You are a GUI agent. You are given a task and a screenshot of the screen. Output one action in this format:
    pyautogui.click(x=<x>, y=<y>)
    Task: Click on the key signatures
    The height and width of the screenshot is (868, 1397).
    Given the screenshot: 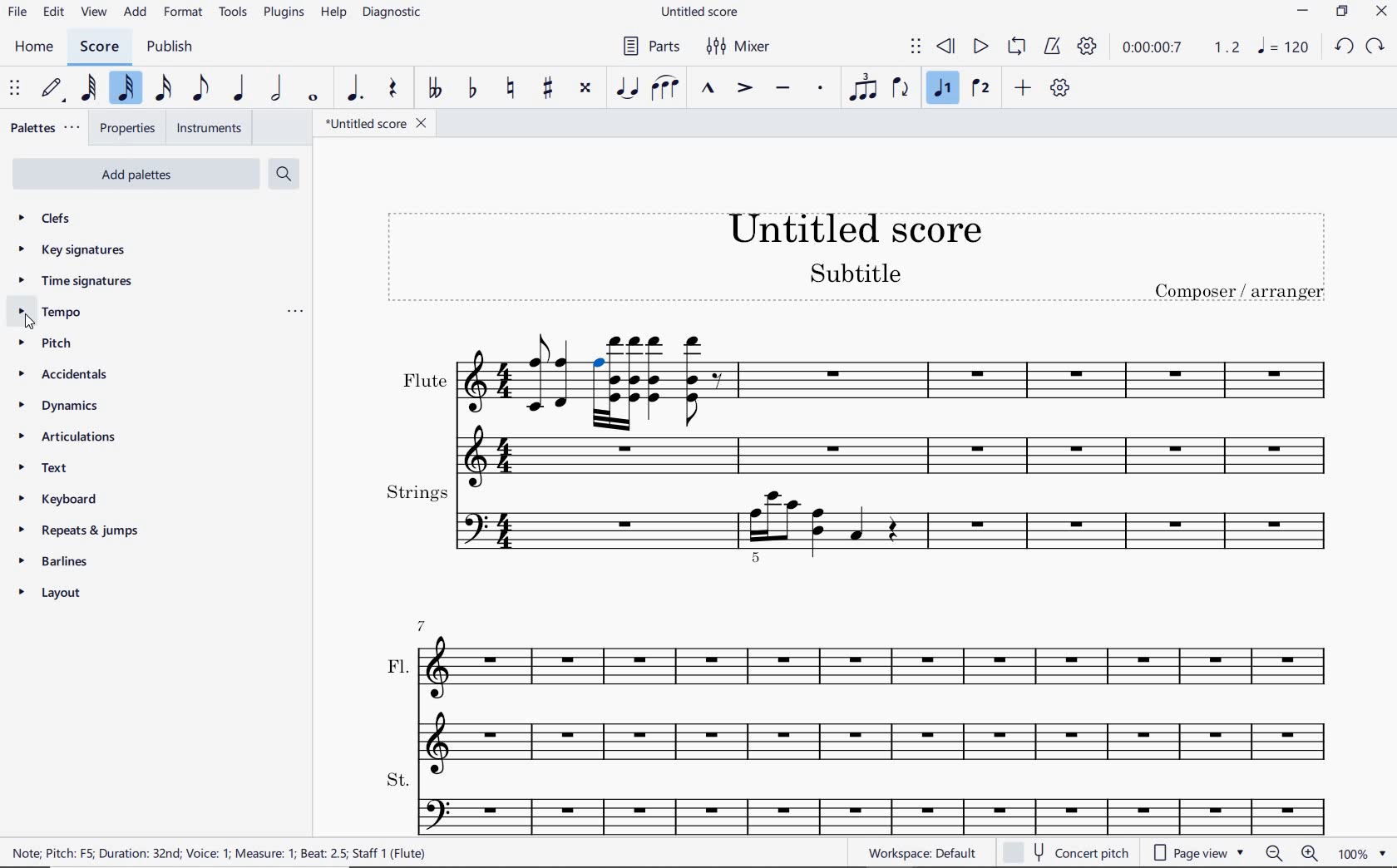 What is the action you would take?
    pyautogui.click(x=82, y=250)
    